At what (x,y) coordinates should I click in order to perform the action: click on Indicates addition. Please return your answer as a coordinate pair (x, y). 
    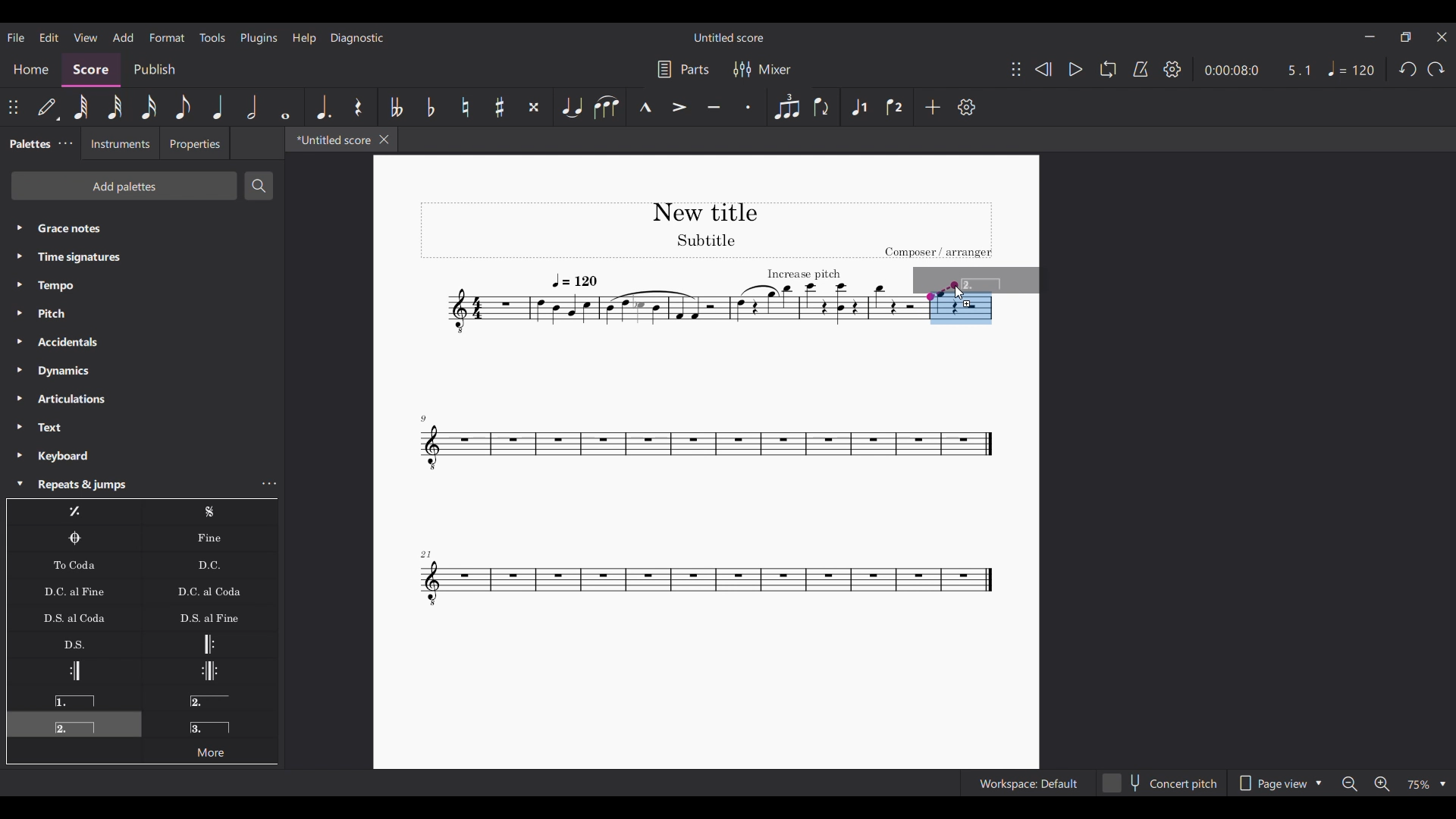
    Looking at the image, I should click on (967, 303).